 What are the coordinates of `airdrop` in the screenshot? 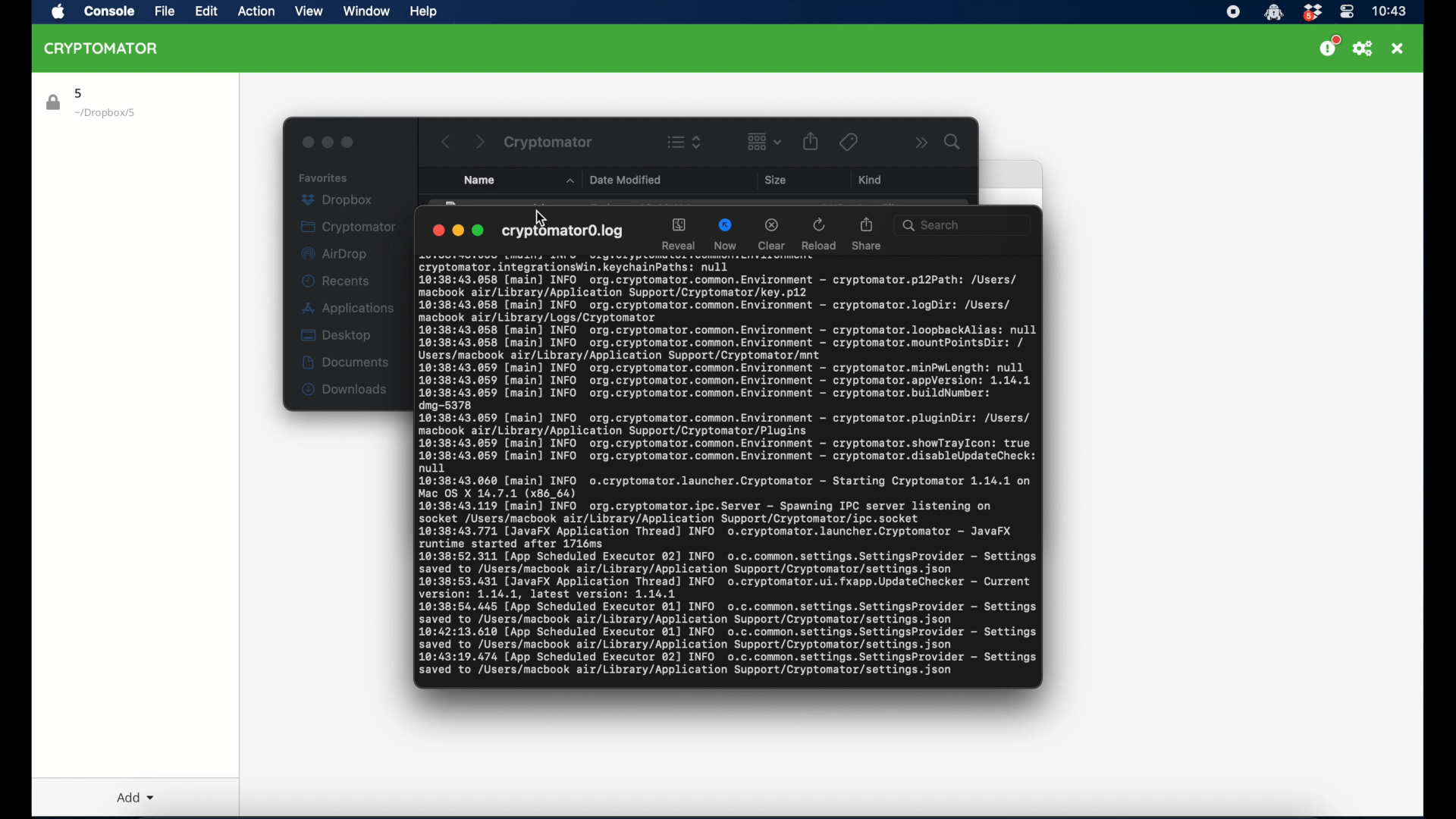 It's located at (334, 253).